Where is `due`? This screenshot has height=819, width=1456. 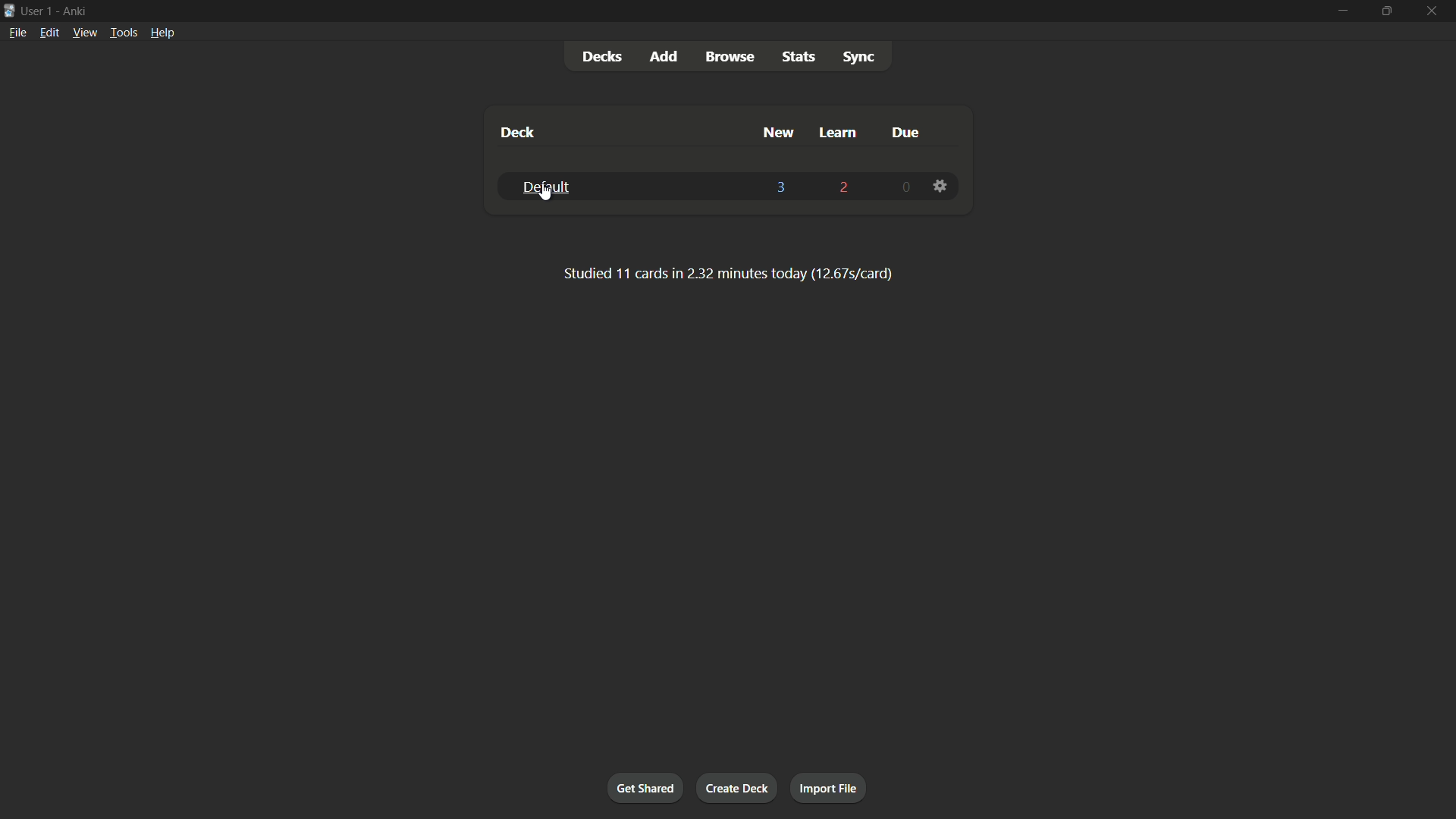
due is located at coordinates (904, 133).